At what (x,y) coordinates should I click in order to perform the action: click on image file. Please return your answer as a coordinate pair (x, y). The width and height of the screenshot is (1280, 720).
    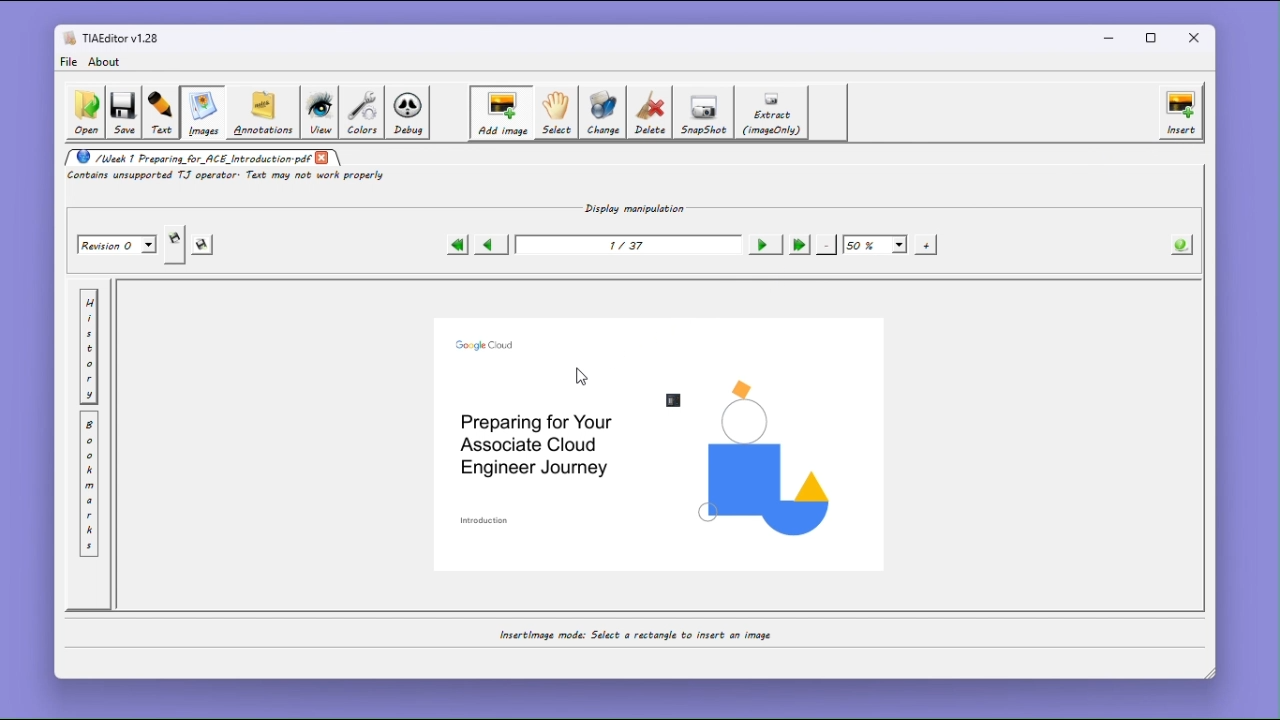
    Looking at the image, I should click on (676, 400).